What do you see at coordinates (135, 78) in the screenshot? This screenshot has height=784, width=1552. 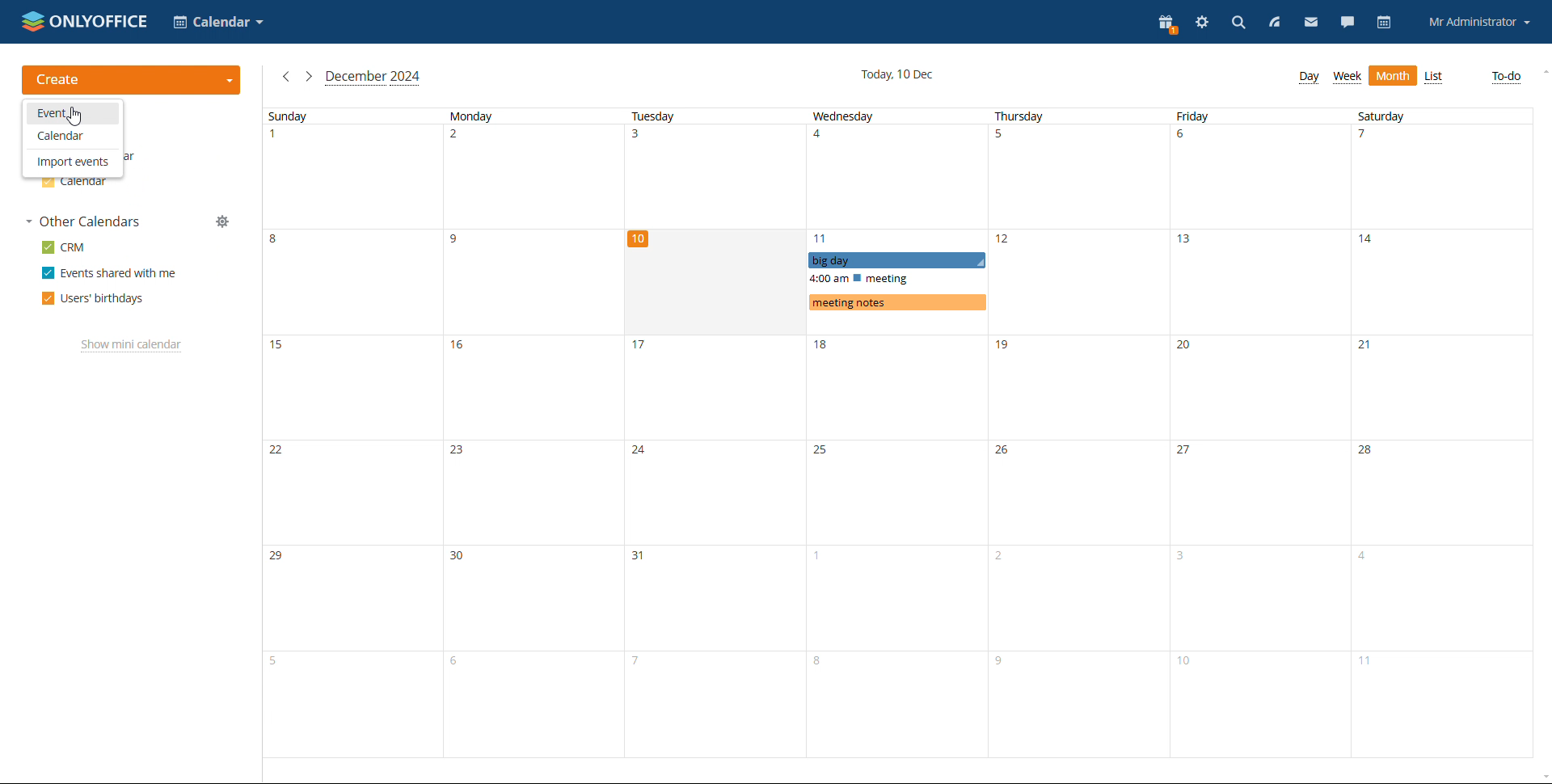 I see `create` at bounding box center [135, 78].